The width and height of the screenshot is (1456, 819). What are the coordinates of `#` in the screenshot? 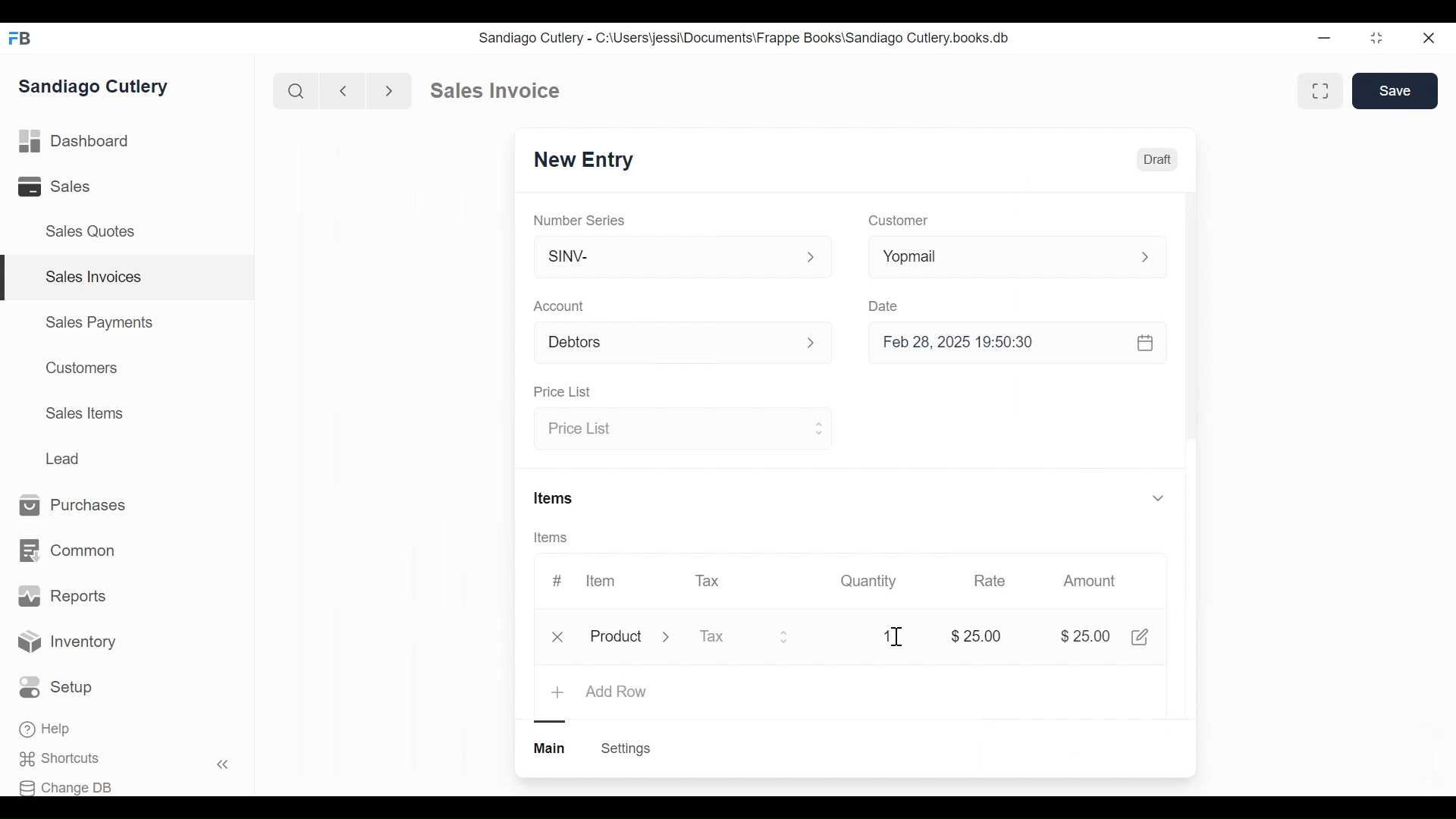 It's located at (557, 579).